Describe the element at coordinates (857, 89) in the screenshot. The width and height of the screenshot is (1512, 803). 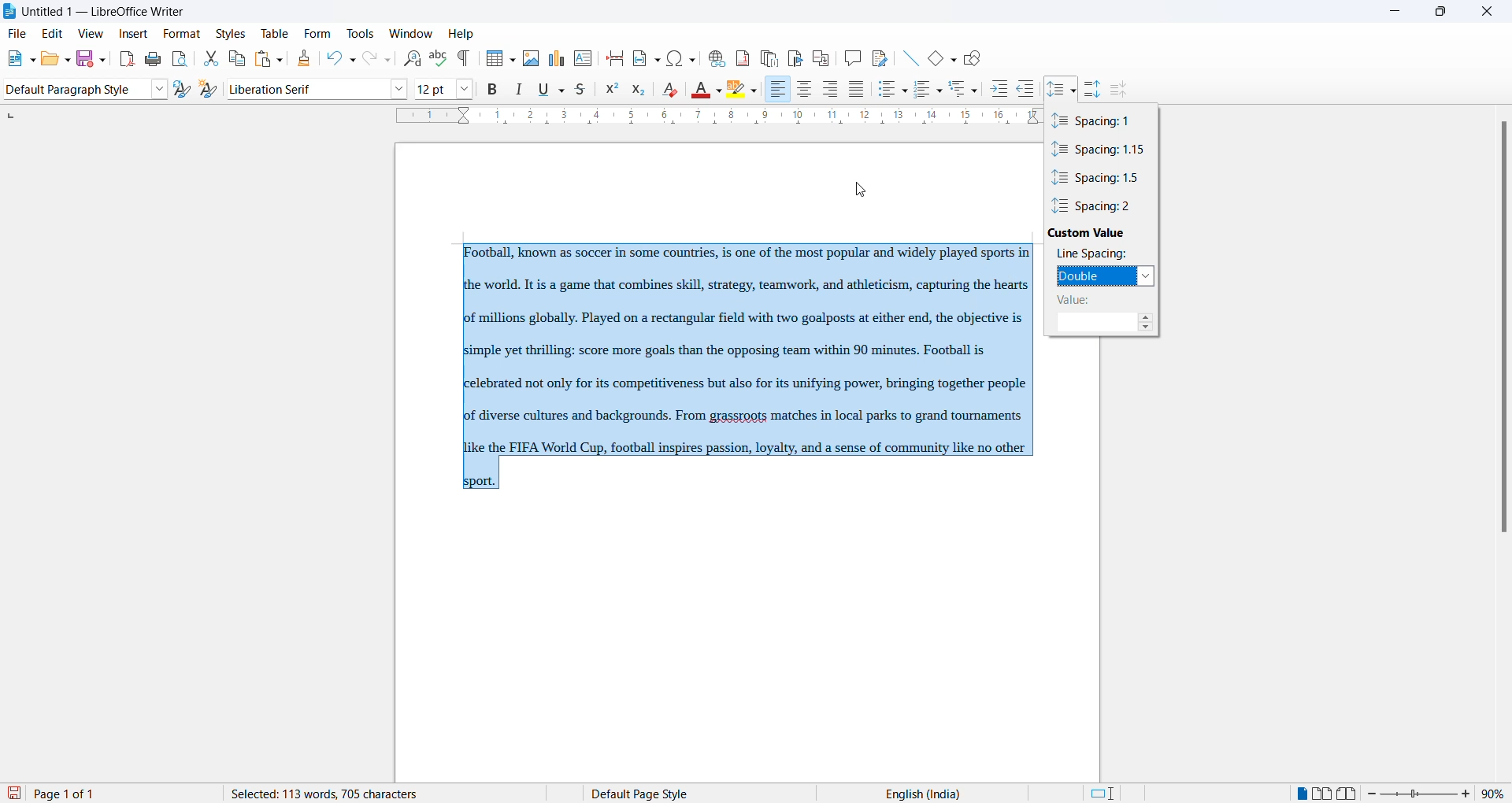
I see `justified` at that location.